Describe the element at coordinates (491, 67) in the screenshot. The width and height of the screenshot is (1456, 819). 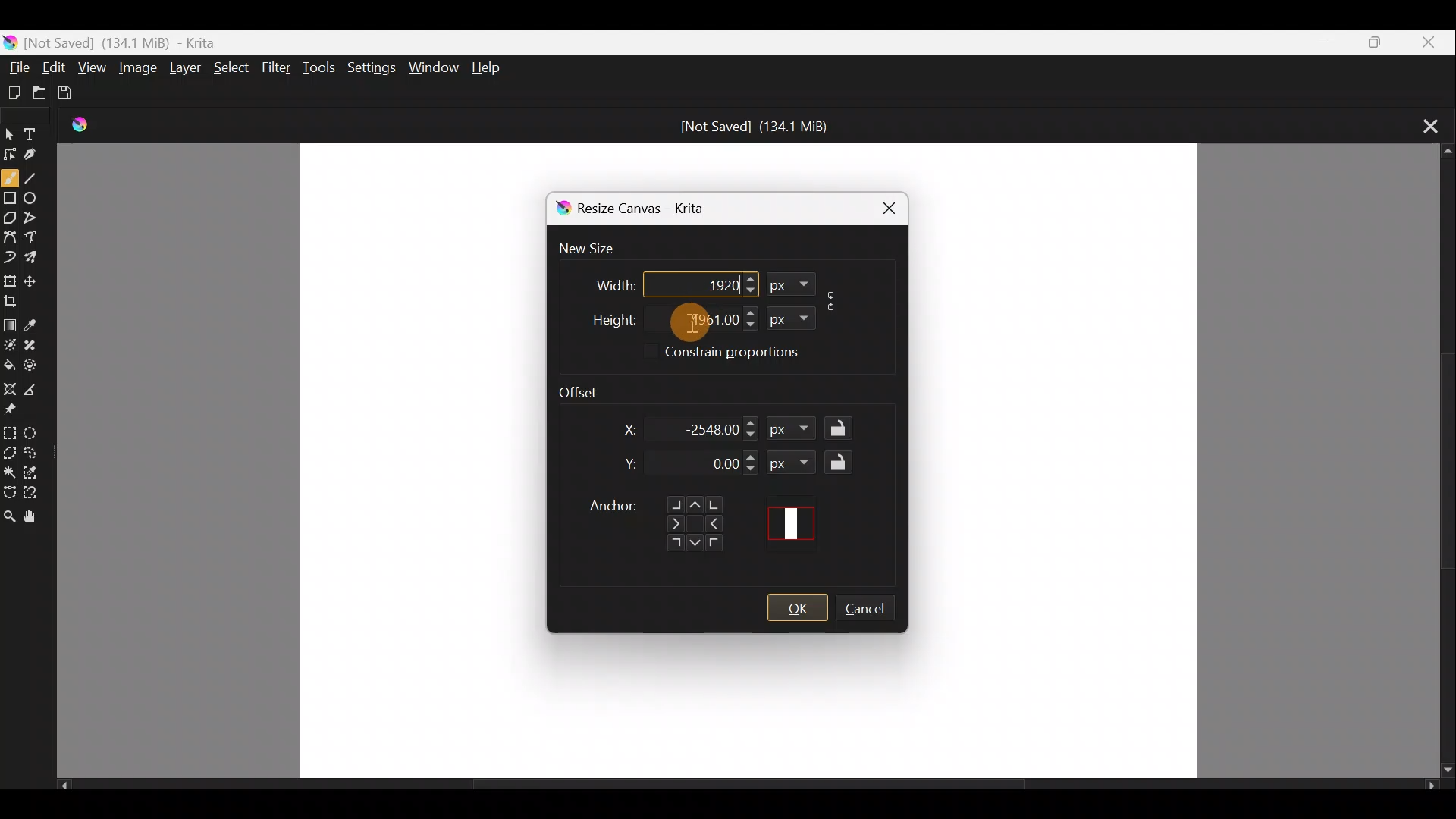
I see `Help` at that location.